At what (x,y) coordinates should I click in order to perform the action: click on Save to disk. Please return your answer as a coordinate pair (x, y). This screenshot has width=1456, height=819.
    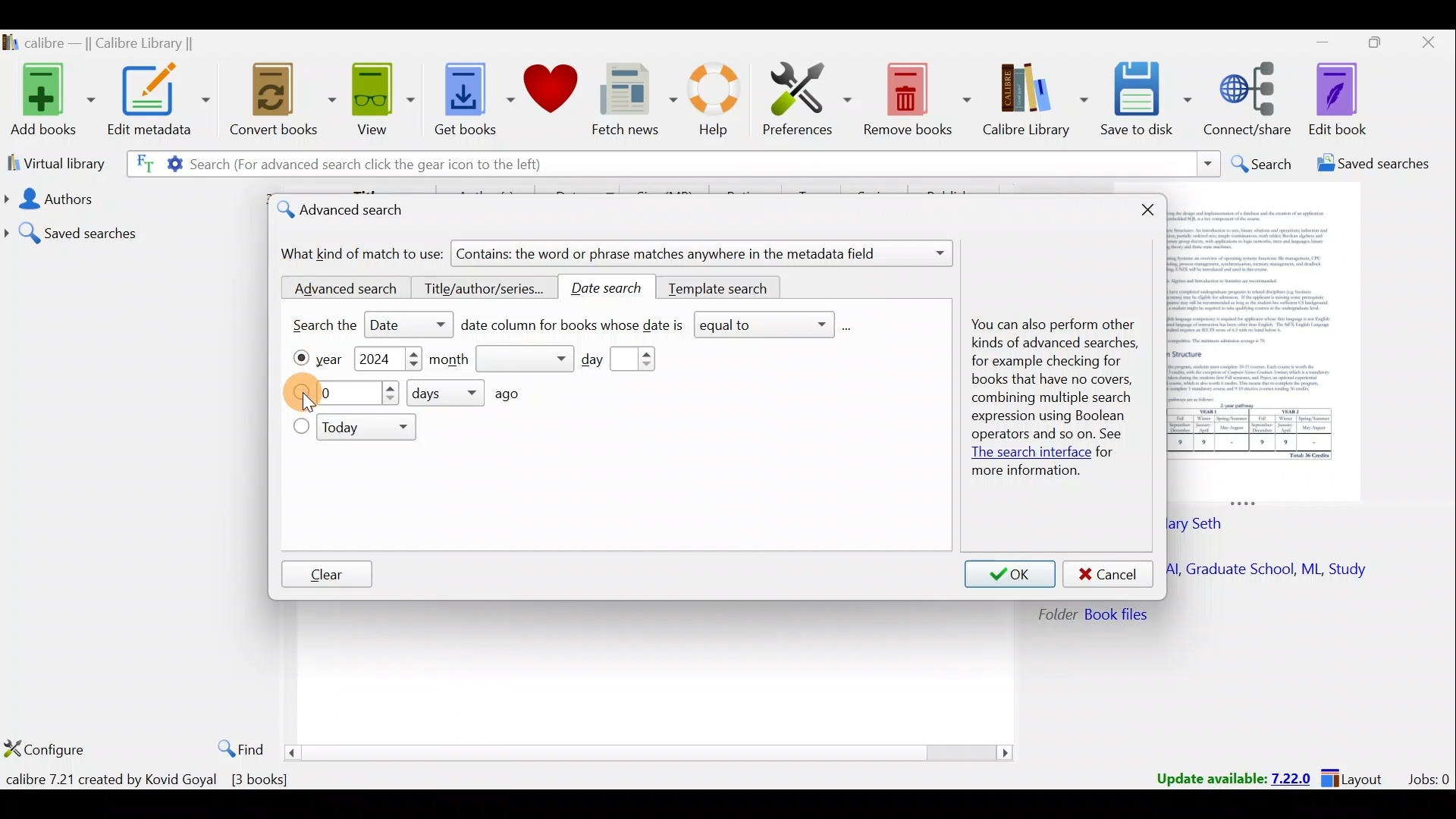
    Looking at the image, I should click on (1148, 101).